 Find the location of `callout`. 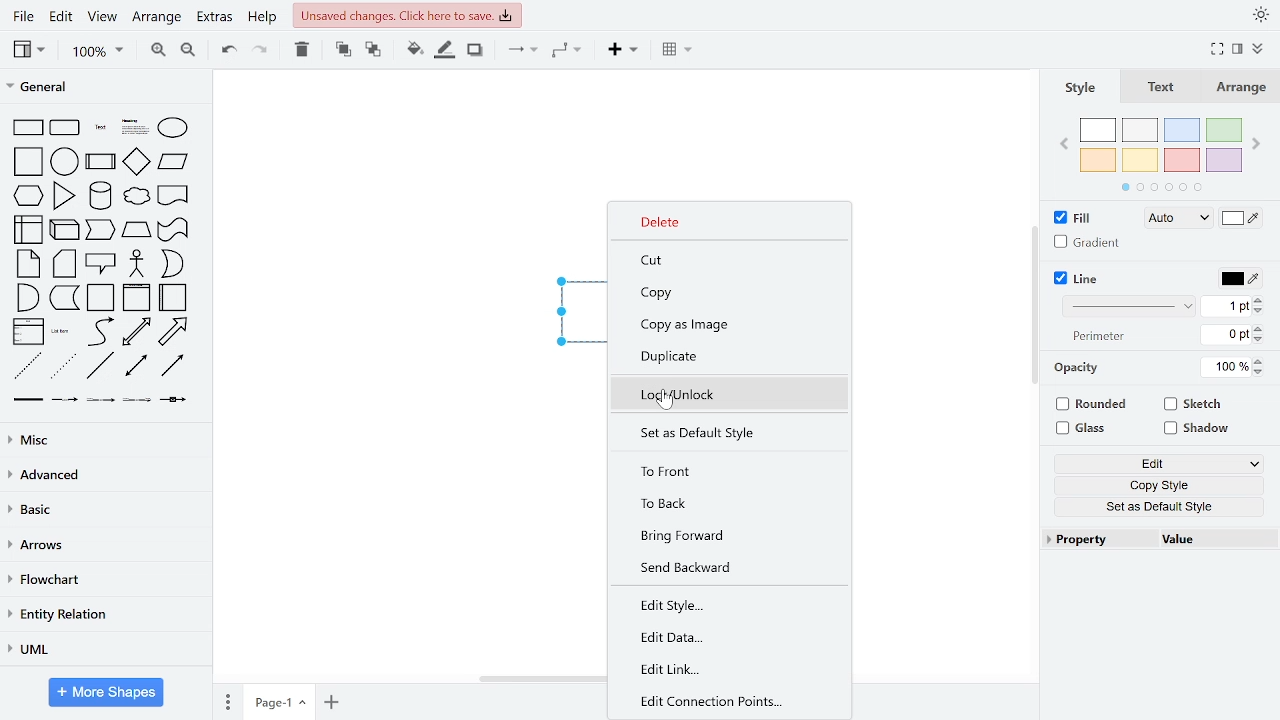

callout is located at coordinates (100, 264).